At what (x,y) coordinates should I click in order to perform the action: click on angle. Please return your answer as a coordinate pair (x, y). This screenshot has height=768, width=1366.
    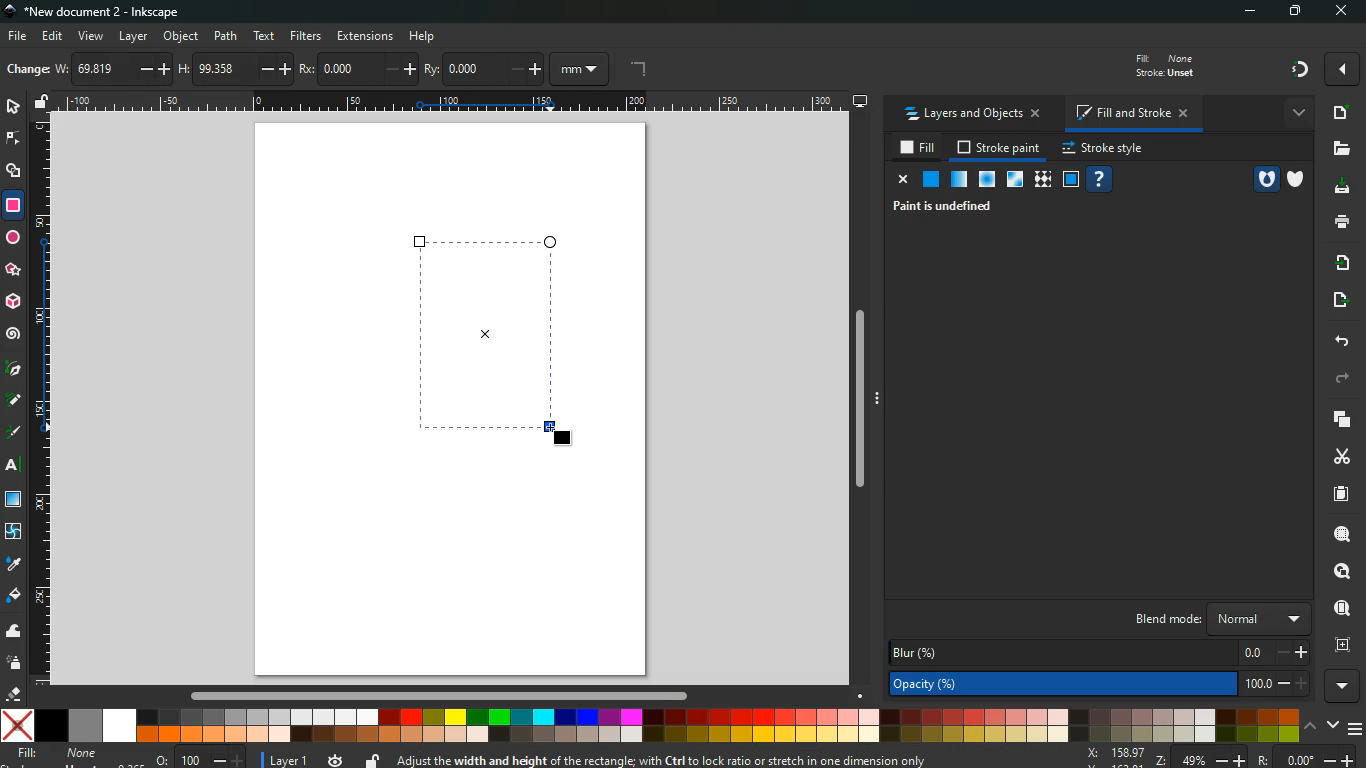
    Looking at the image, I should click on (636, 70).